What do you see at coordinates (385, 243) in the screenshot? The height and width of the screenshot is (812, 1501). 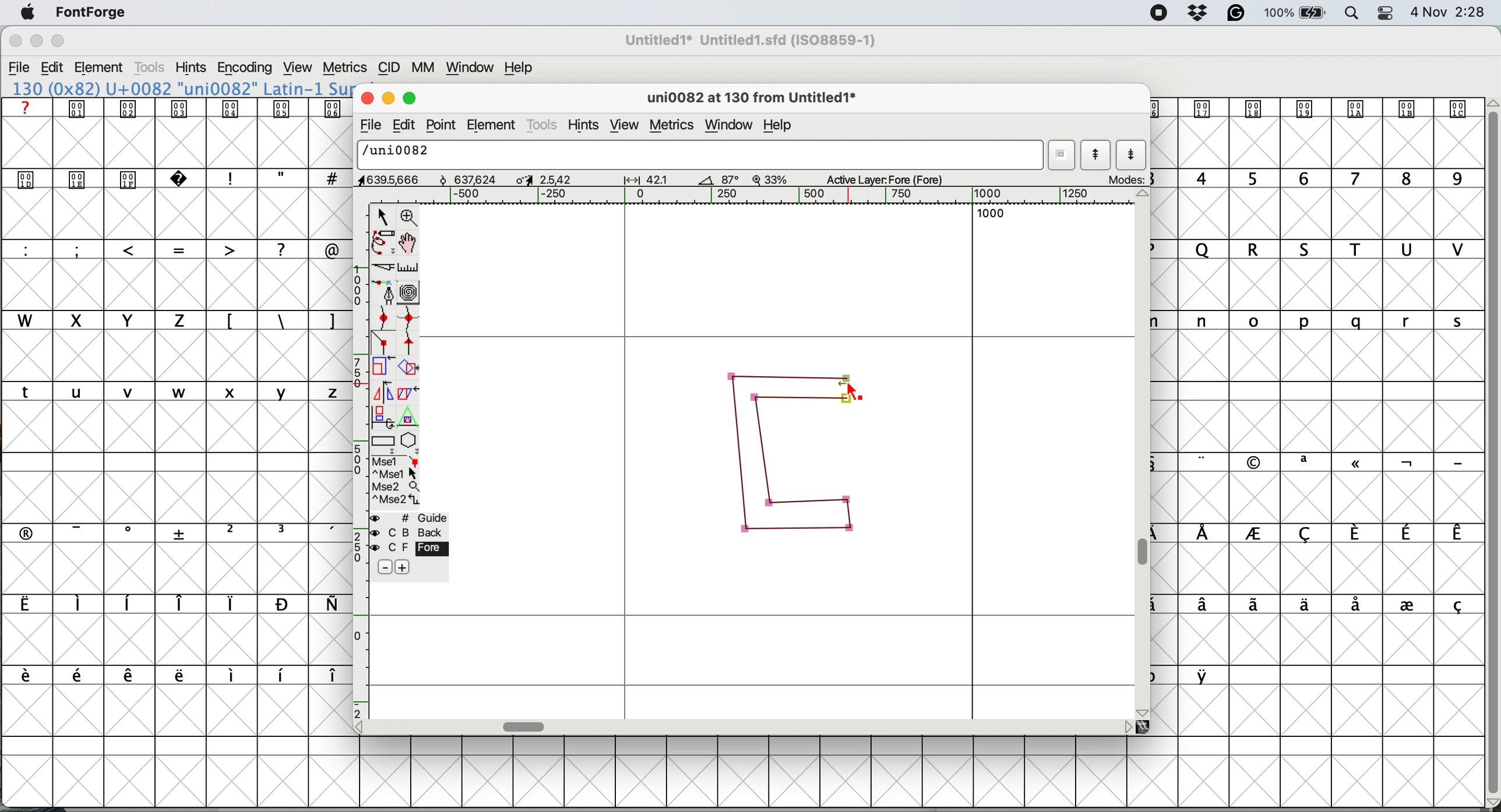 I see `freehand draw` at bounding box center [385, 243].